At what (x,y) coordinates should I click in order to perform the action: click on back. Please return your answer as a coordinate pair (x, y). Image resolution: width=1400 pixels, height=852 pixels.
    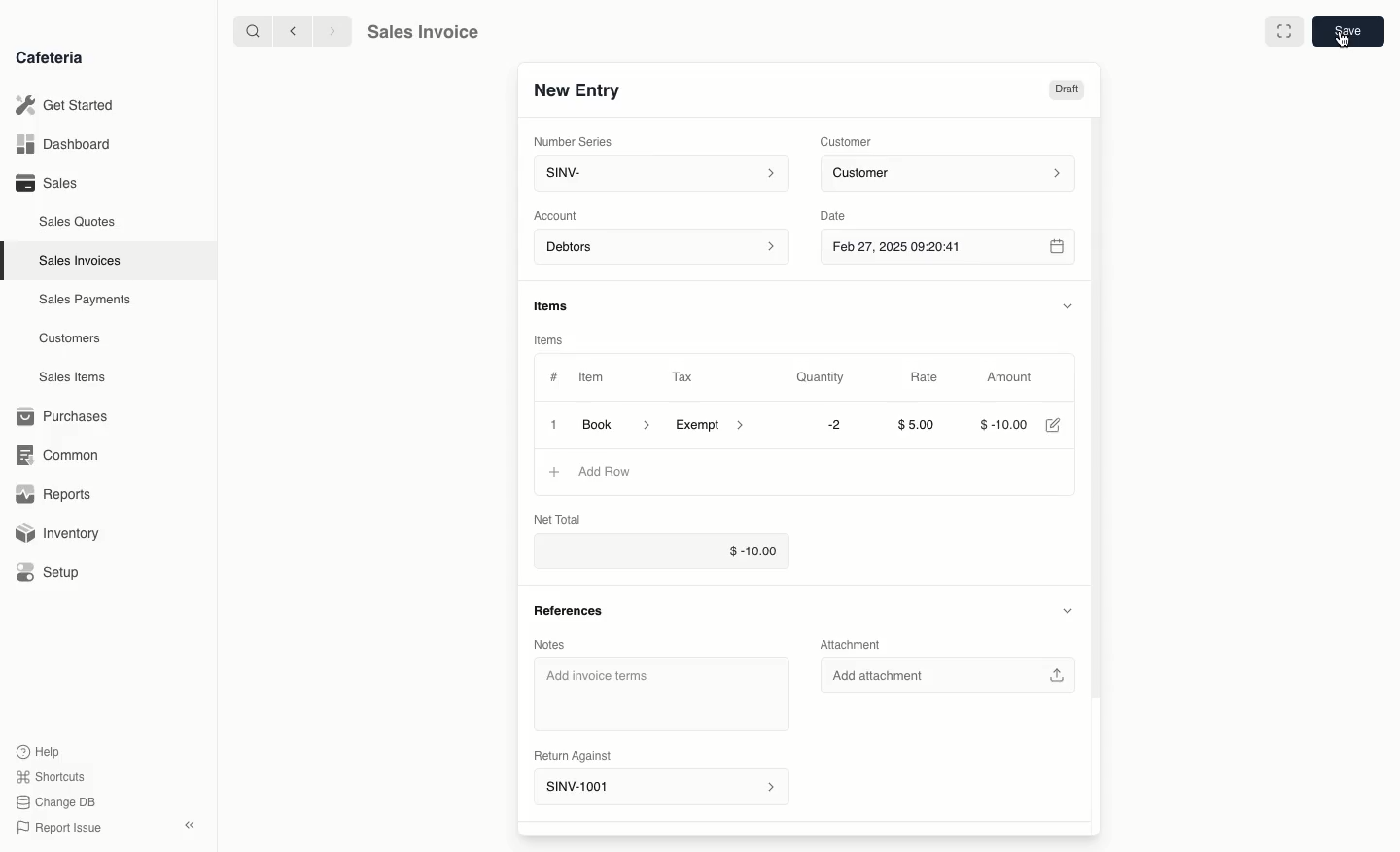
    Looking at the image, I should click on (296, 31).